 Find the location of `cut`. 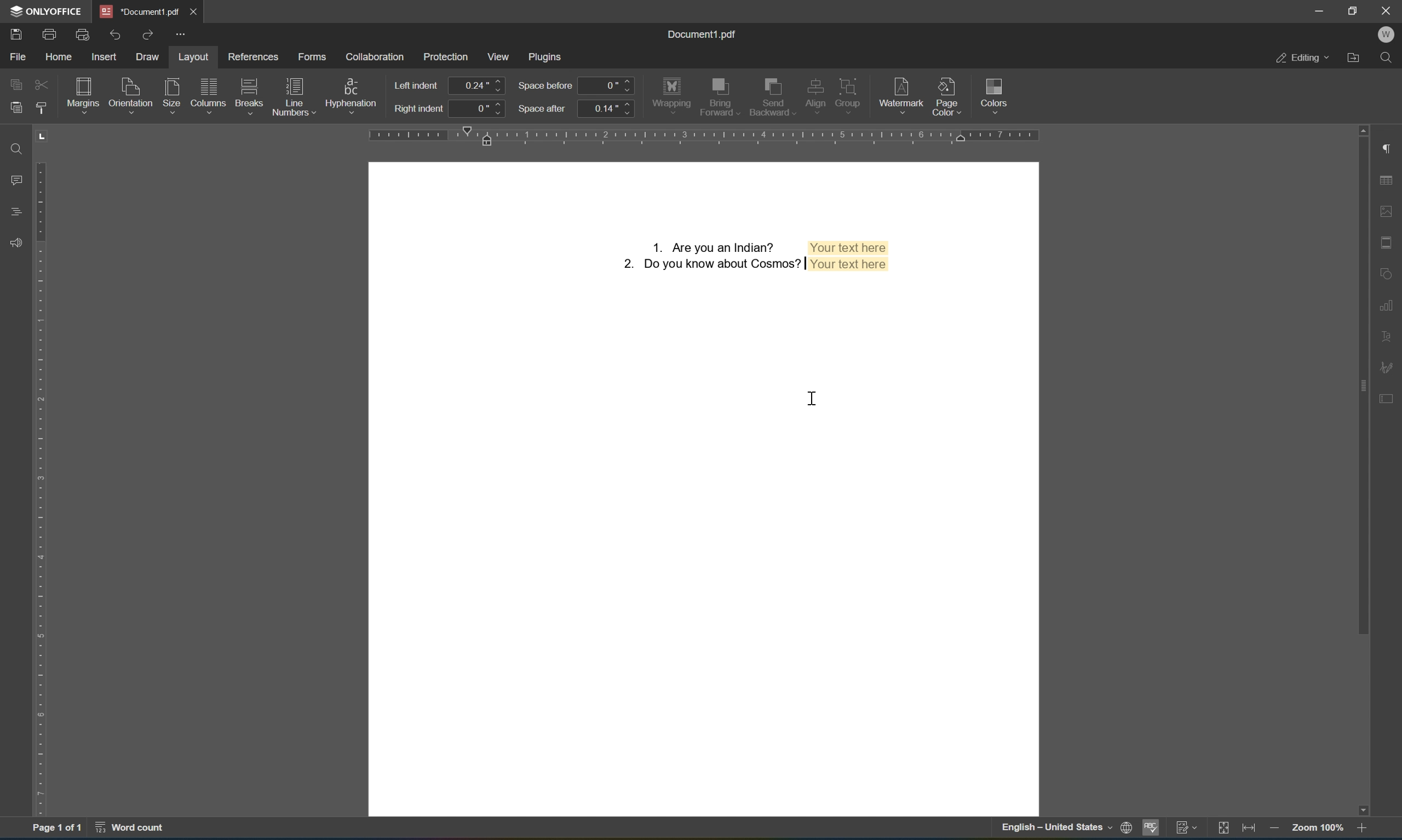

cut is located at coordinates (41, 84).